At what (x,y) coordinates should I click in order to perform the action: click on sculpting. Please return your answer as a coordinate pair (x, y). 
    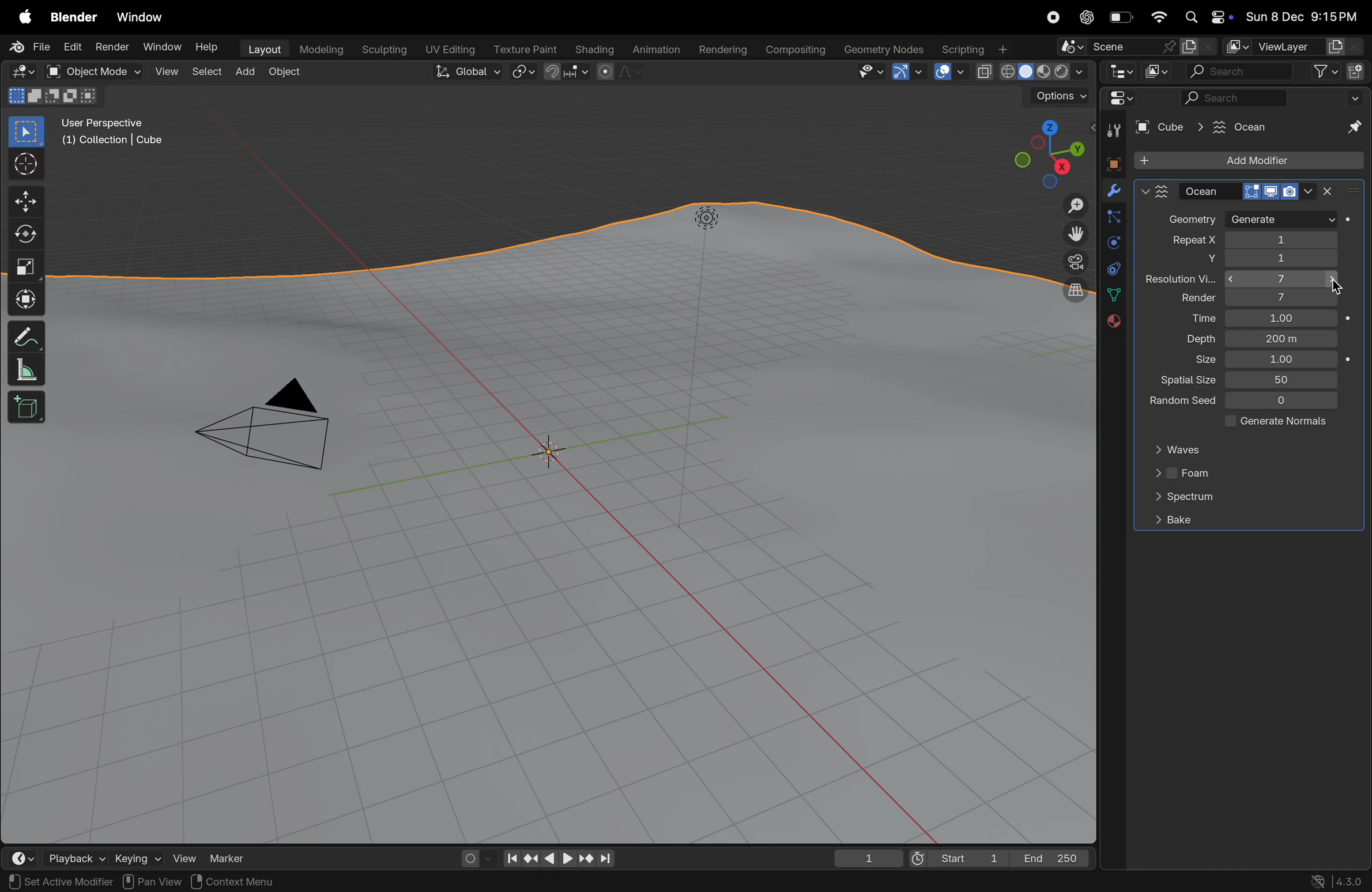
    Looking at the image, I should click on (385, 48).